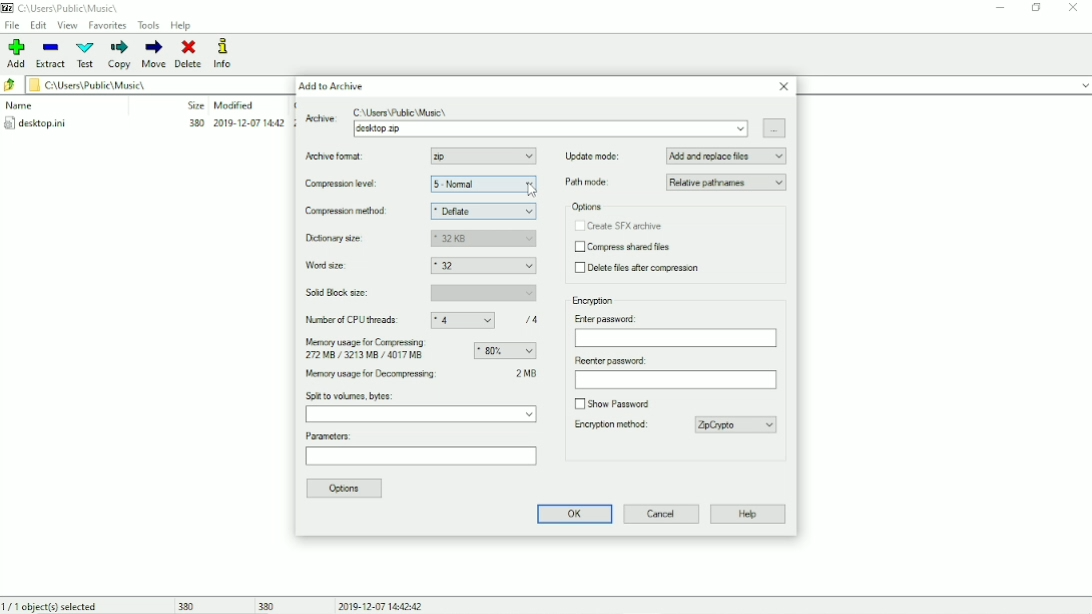 The width and height of the screenshot is (1092, 614). Describe the element at coordinates (107, 26) in the screenshot. I see `Favorites` at that location.